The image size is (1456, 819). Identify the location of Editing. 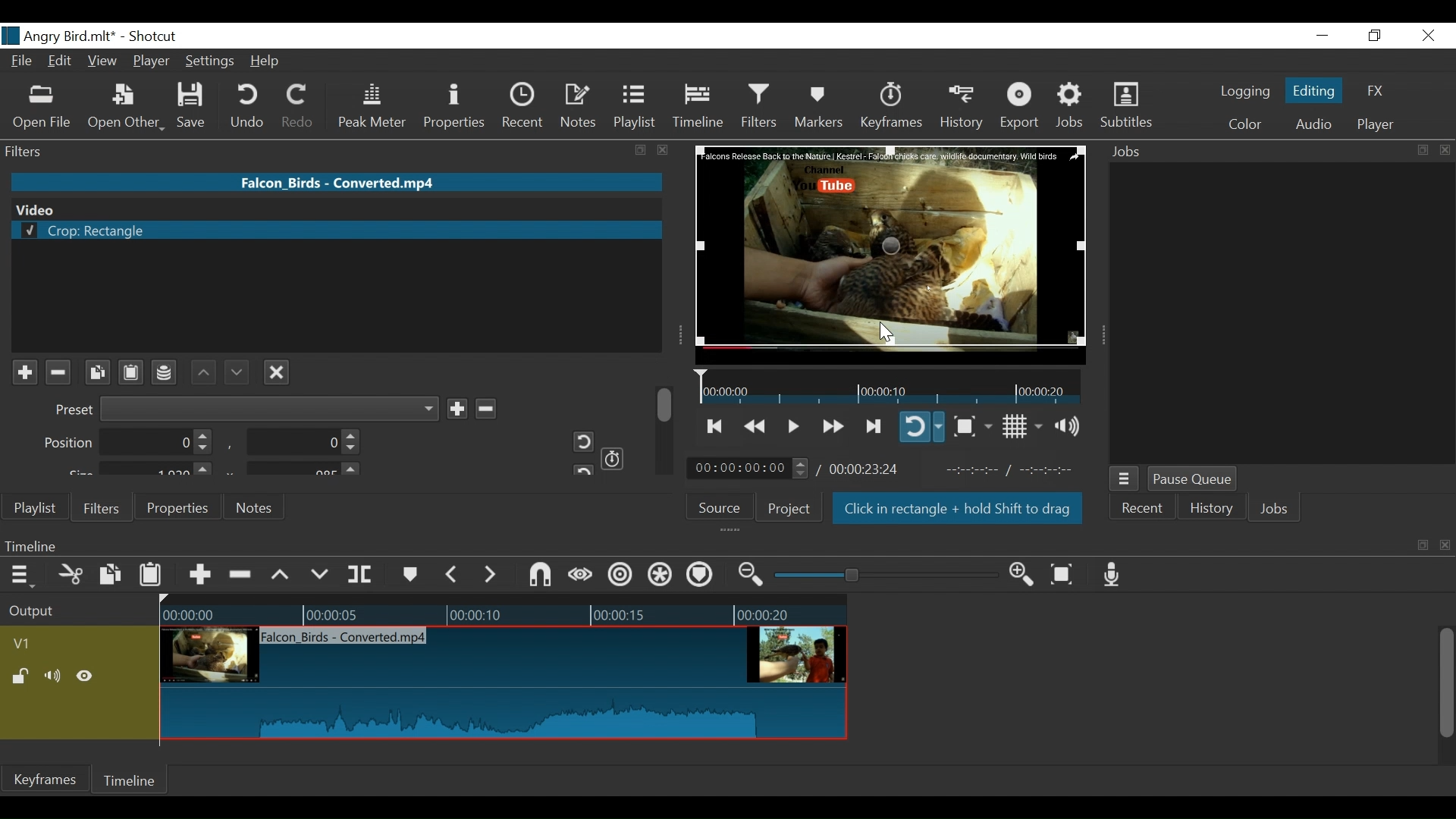
(1316, 89).